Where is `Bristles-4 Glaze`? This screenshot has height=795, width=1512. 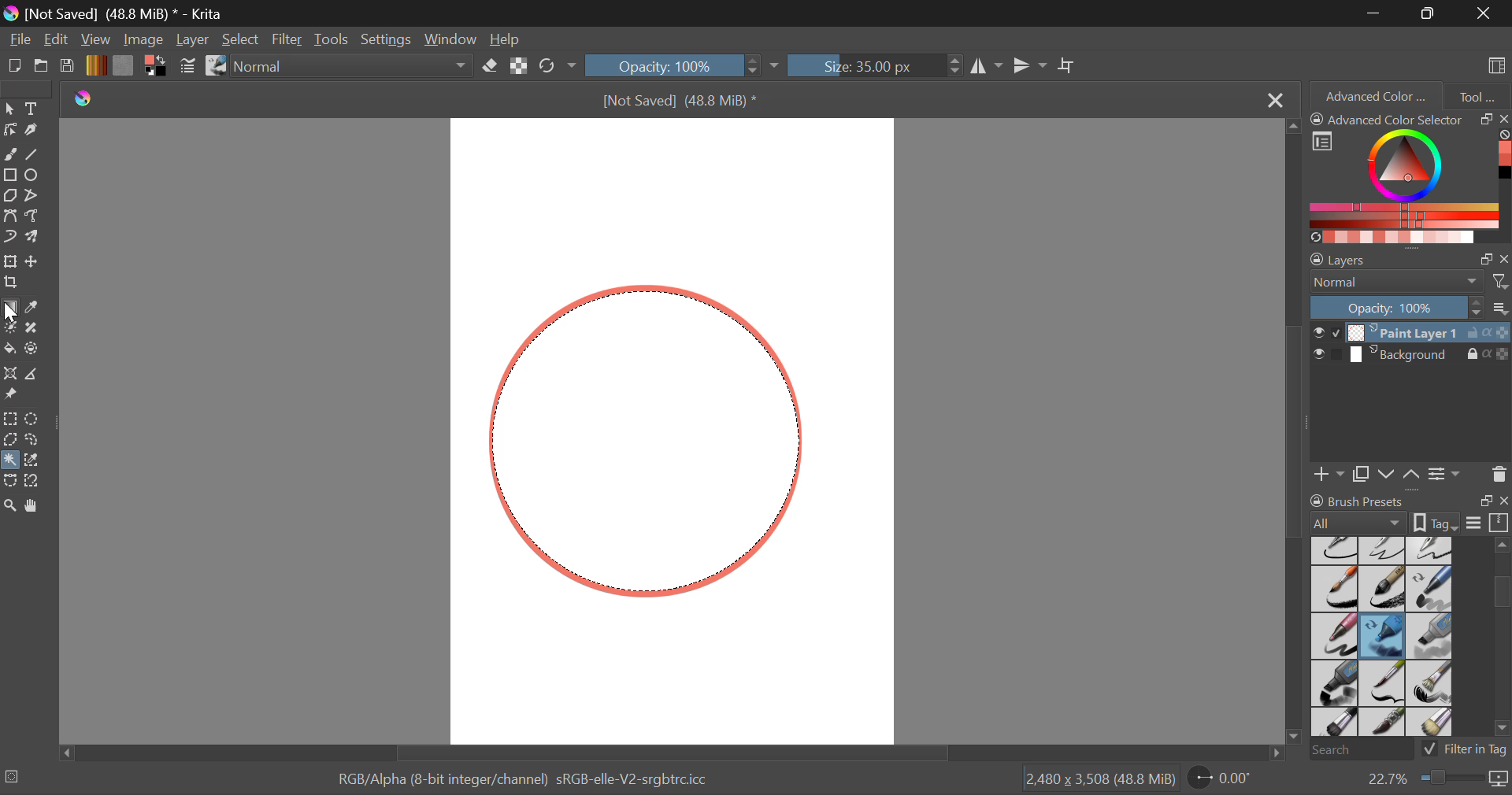 Bristles-4 Glaze is located at coordinates (1384, 723).